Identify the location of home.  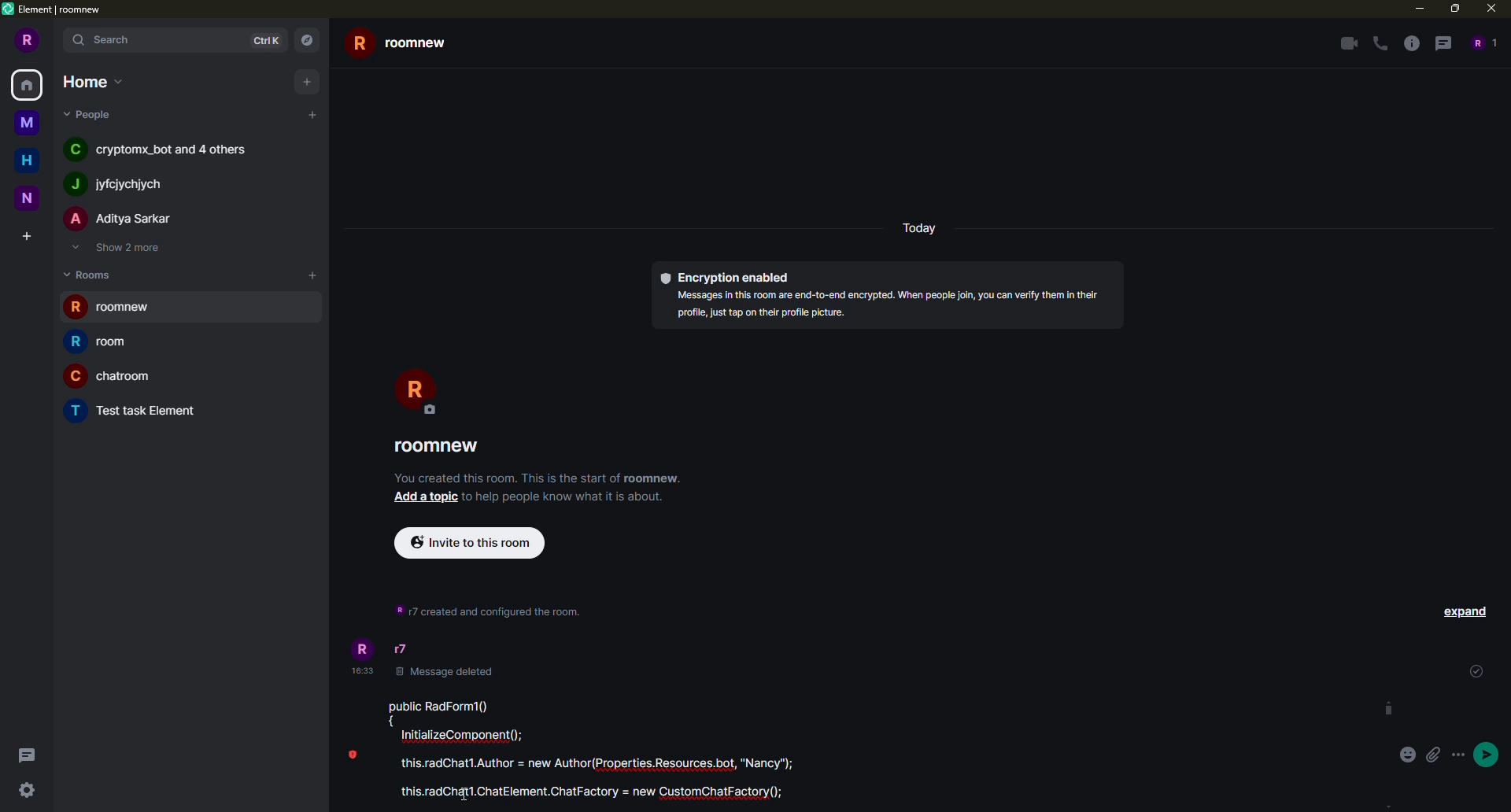
(26, 158).